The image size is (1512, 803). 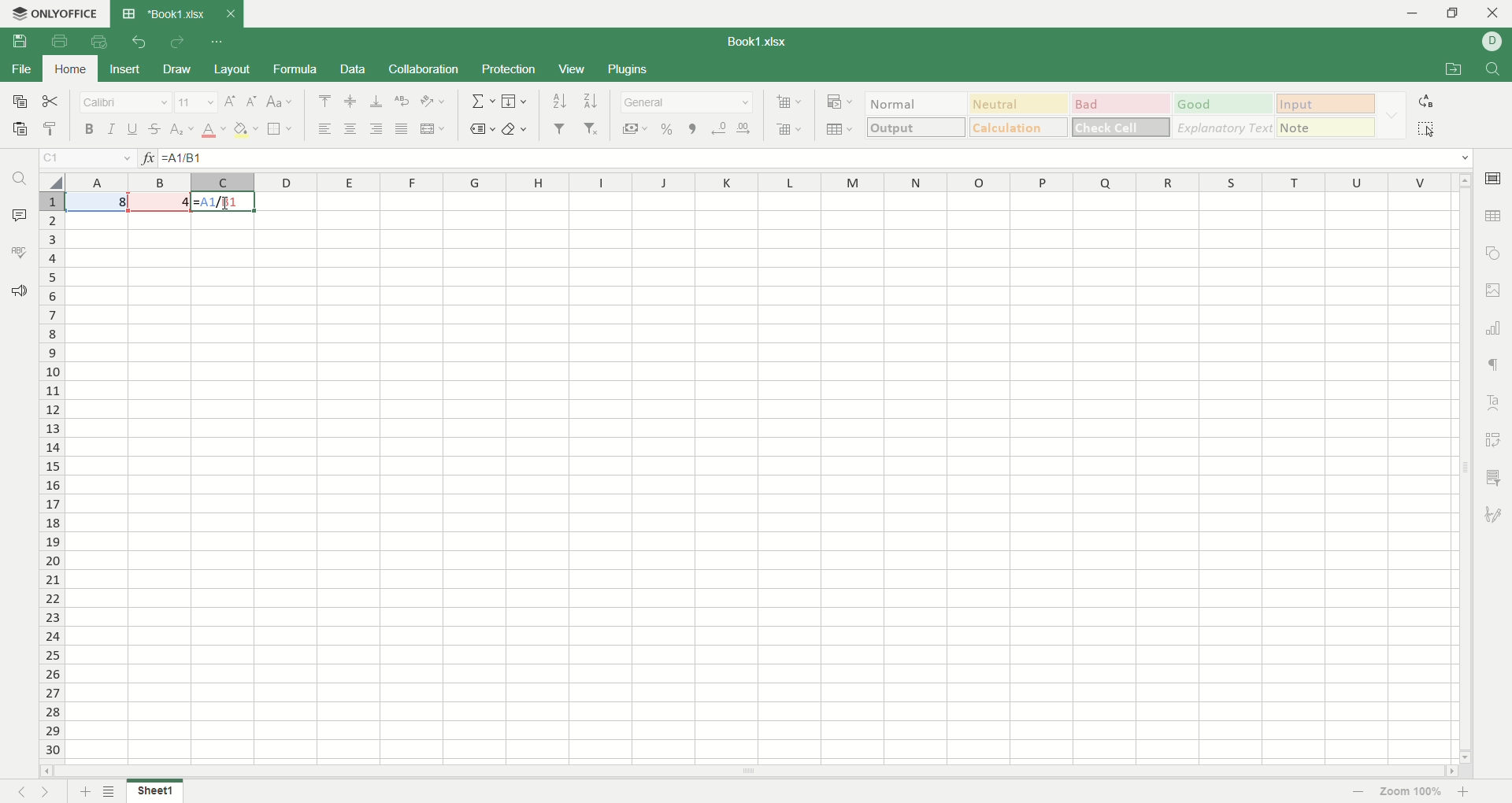 What do you see at coordinates (176, 41) in the screenshot?
I see `redo` at bounding box center [176, 41].